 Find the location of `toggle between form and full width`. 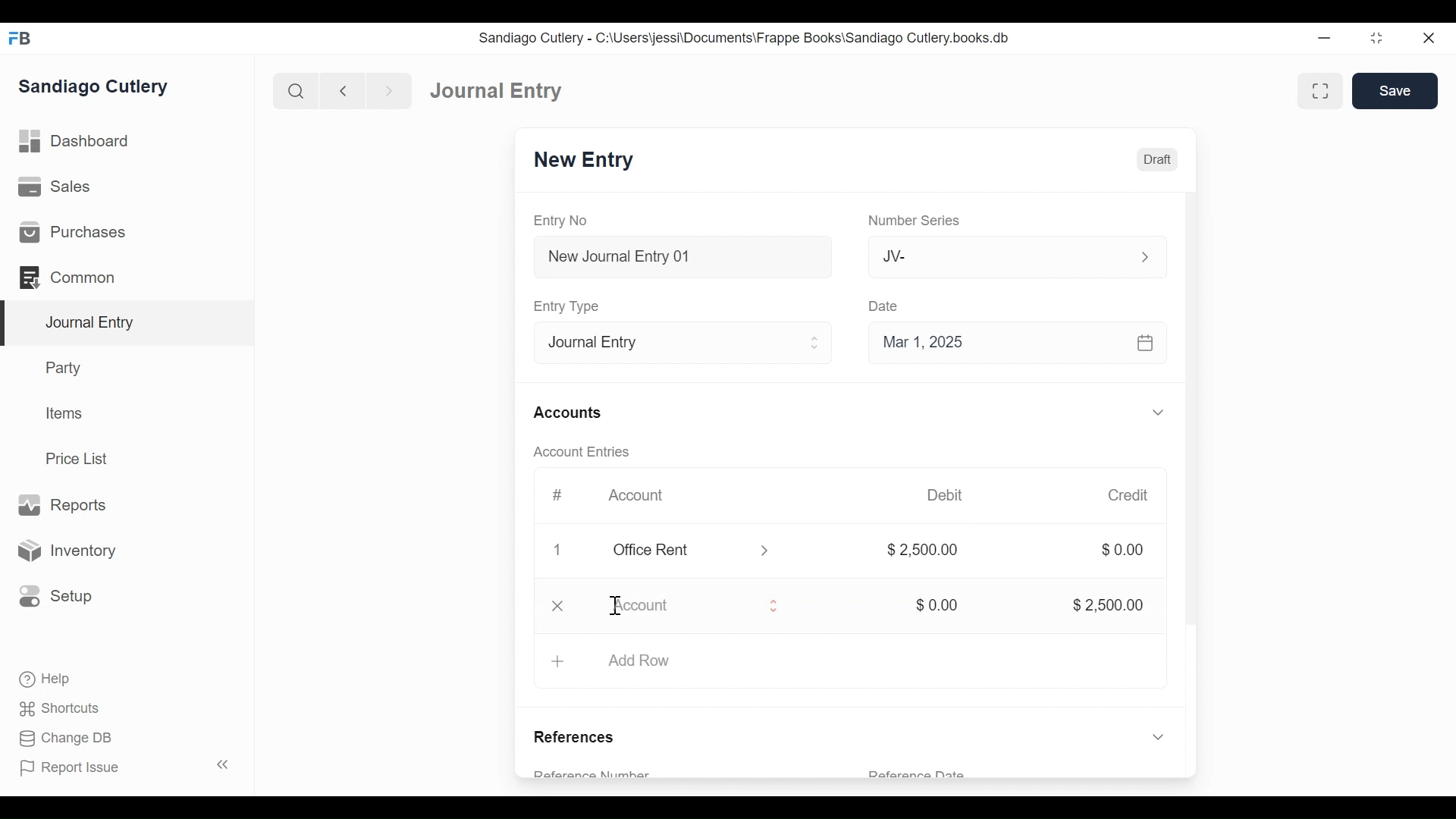

toggle between form and full width is located at coordinates (1323, 92).